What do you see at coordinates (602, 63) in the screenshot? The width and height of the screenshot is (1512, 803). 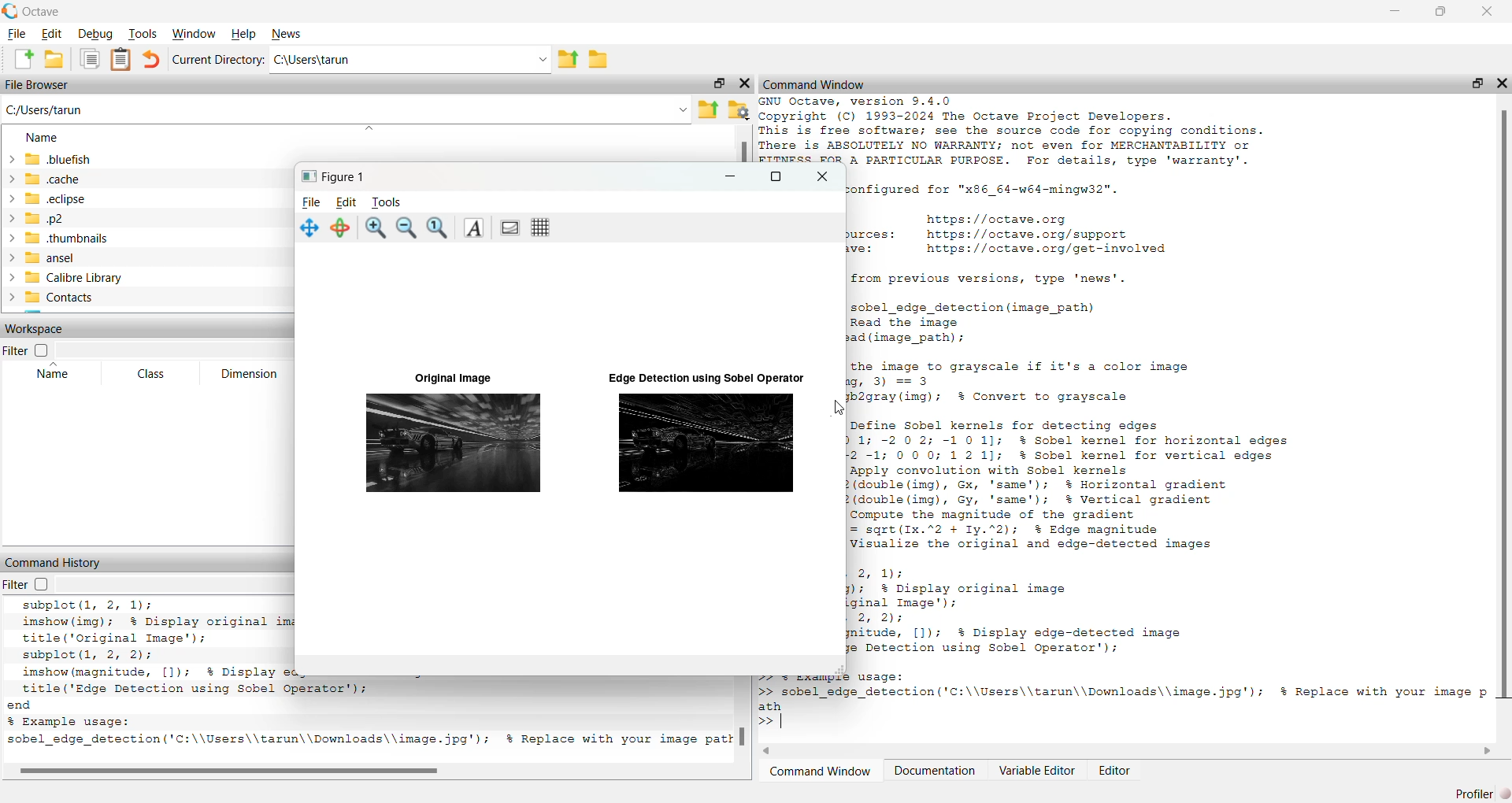 I see `folder` at bounding box center [602, 63].